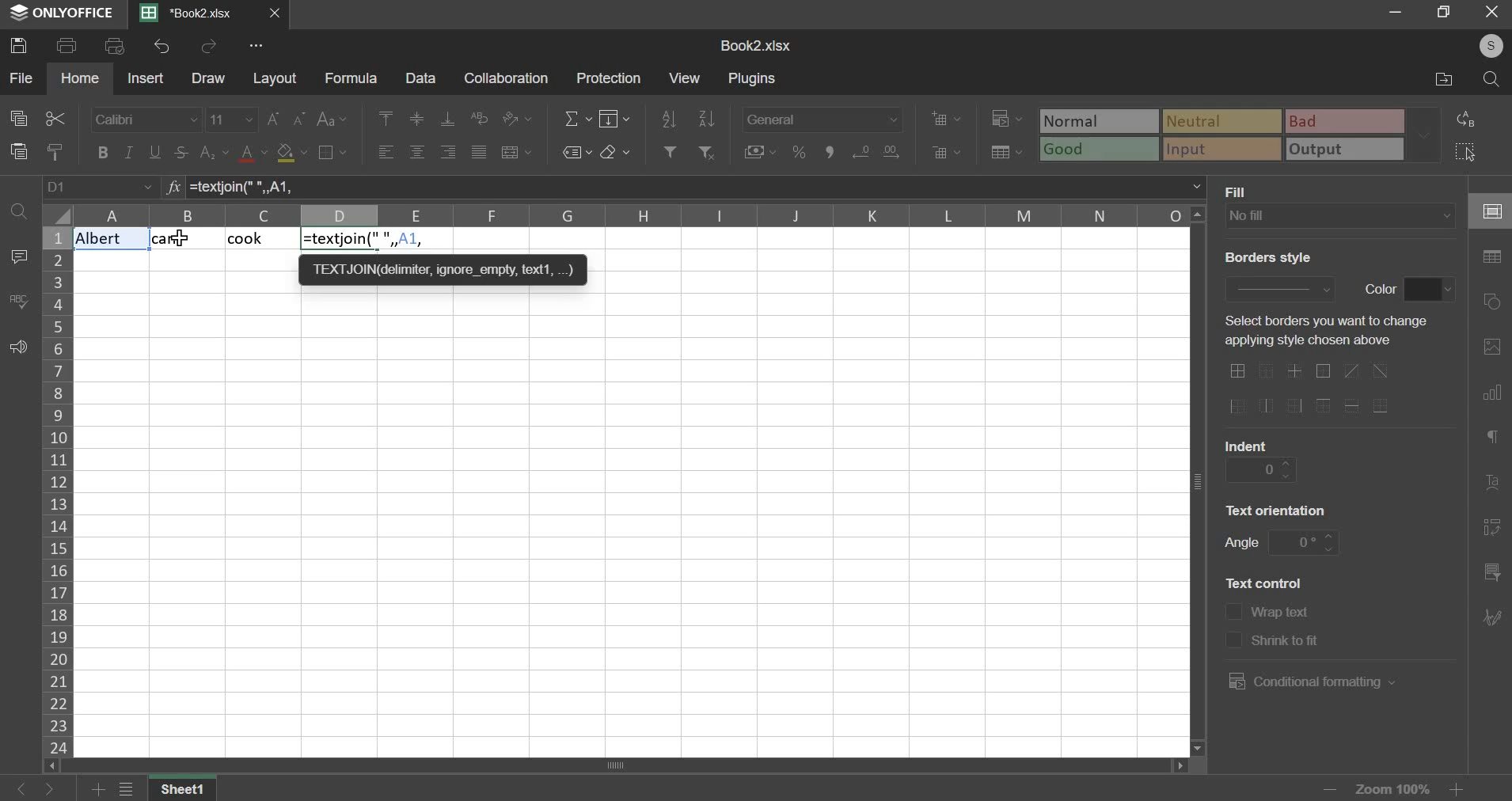 The width and height of the screenshot is (1512, 801). What do you see at coordinates (156, 152) in the screenshot?
I see `underline` at bounding box center [156, 152].